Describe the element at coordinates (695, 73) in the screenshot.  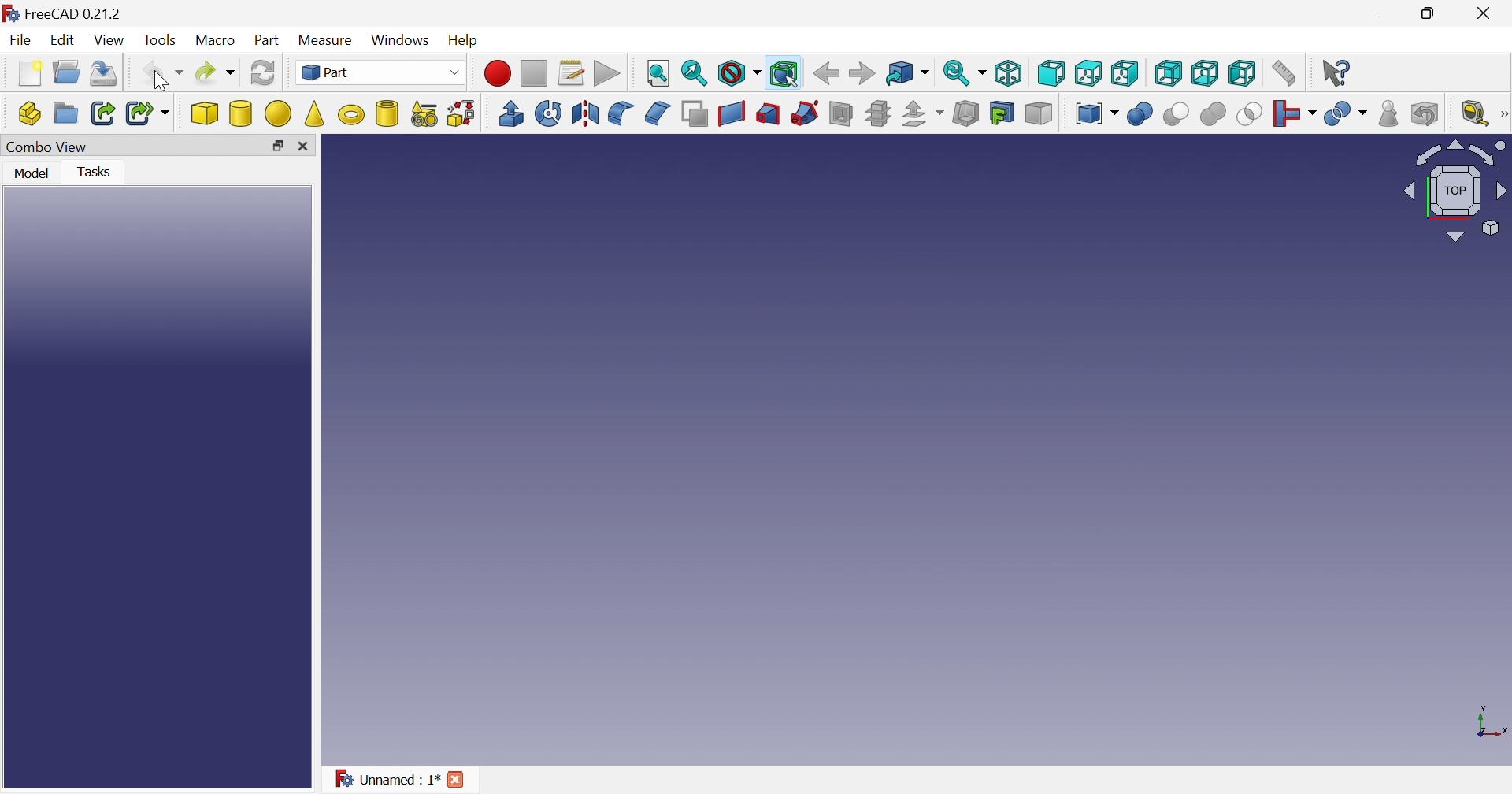
I see `Fit selection` at that location.